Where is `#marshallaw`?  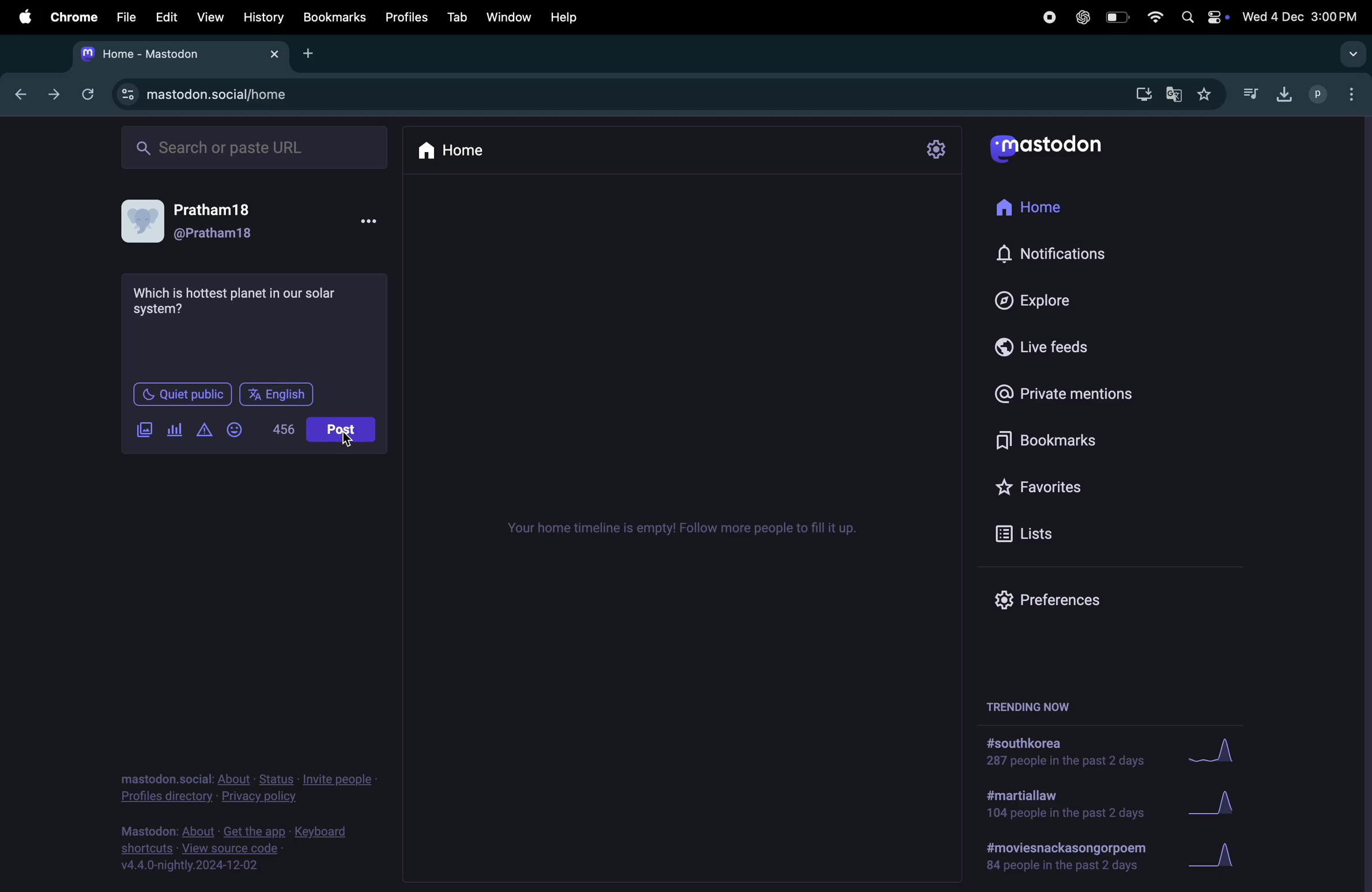 #marshallaw is located at coordinates (1065, 805).